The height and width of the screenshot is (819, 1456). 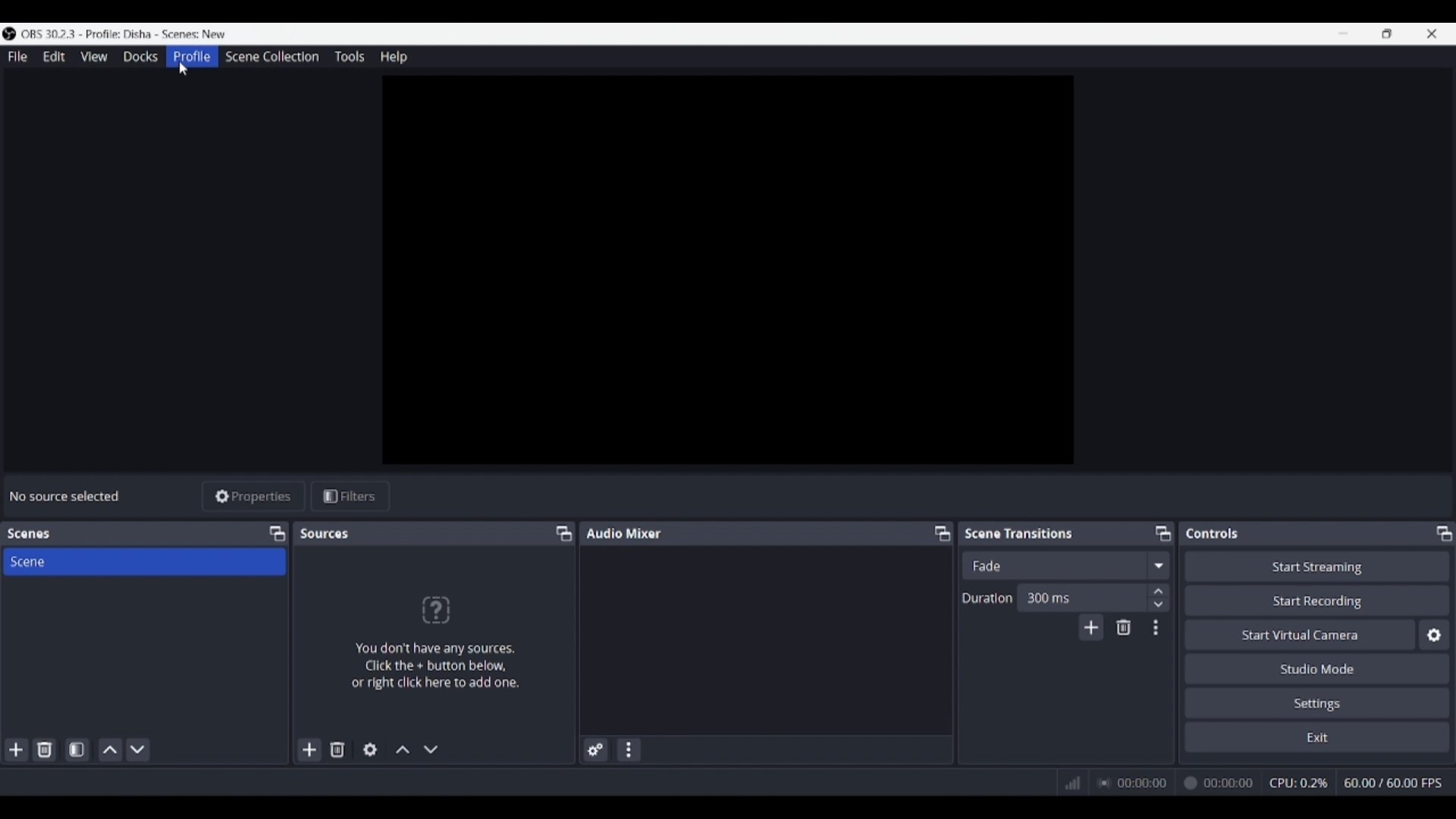 What do you see at coordinates (447, 642) in the screenshot?
I see `Panel logo and text` at bounding box center [447, 642].